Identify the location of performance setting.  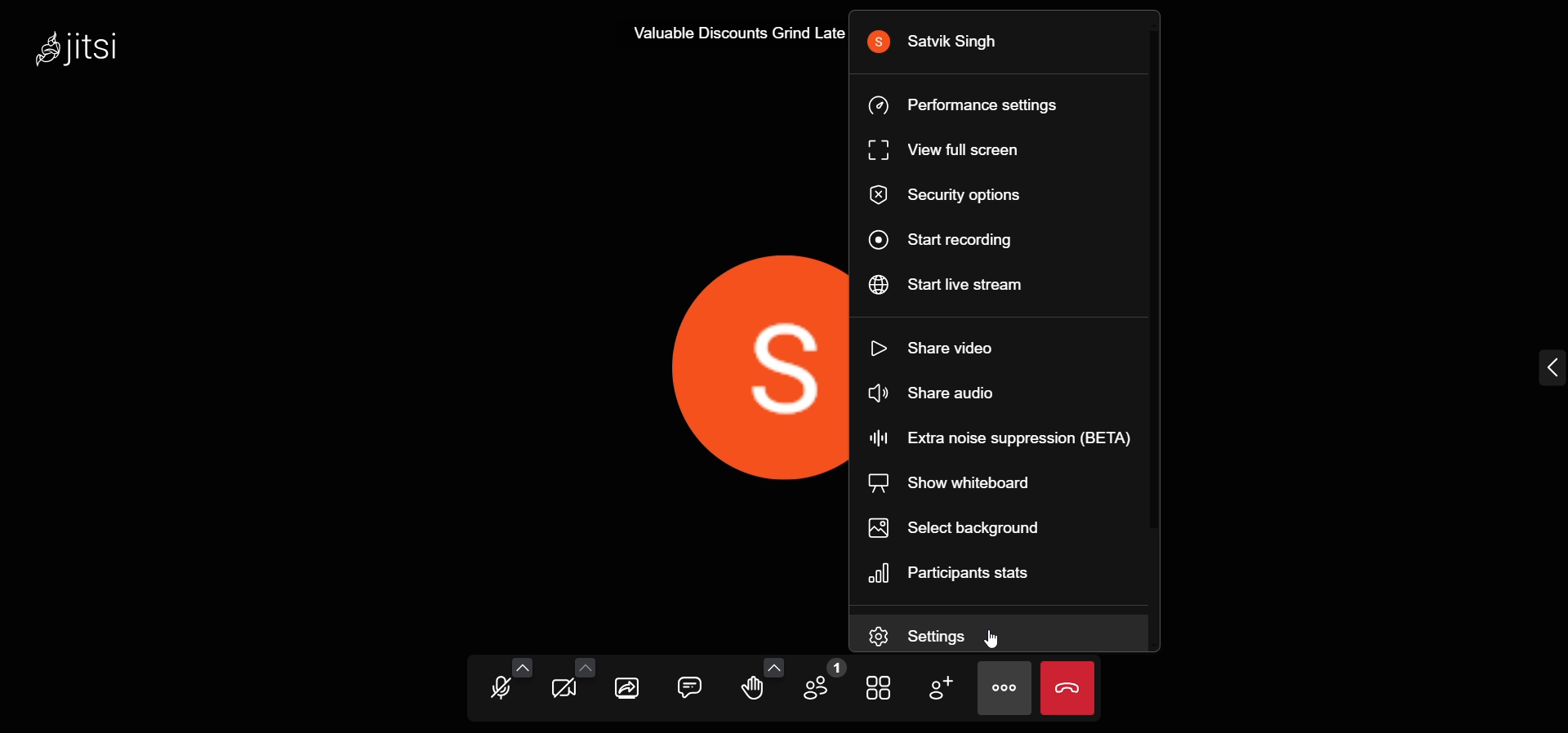
(964, 106).